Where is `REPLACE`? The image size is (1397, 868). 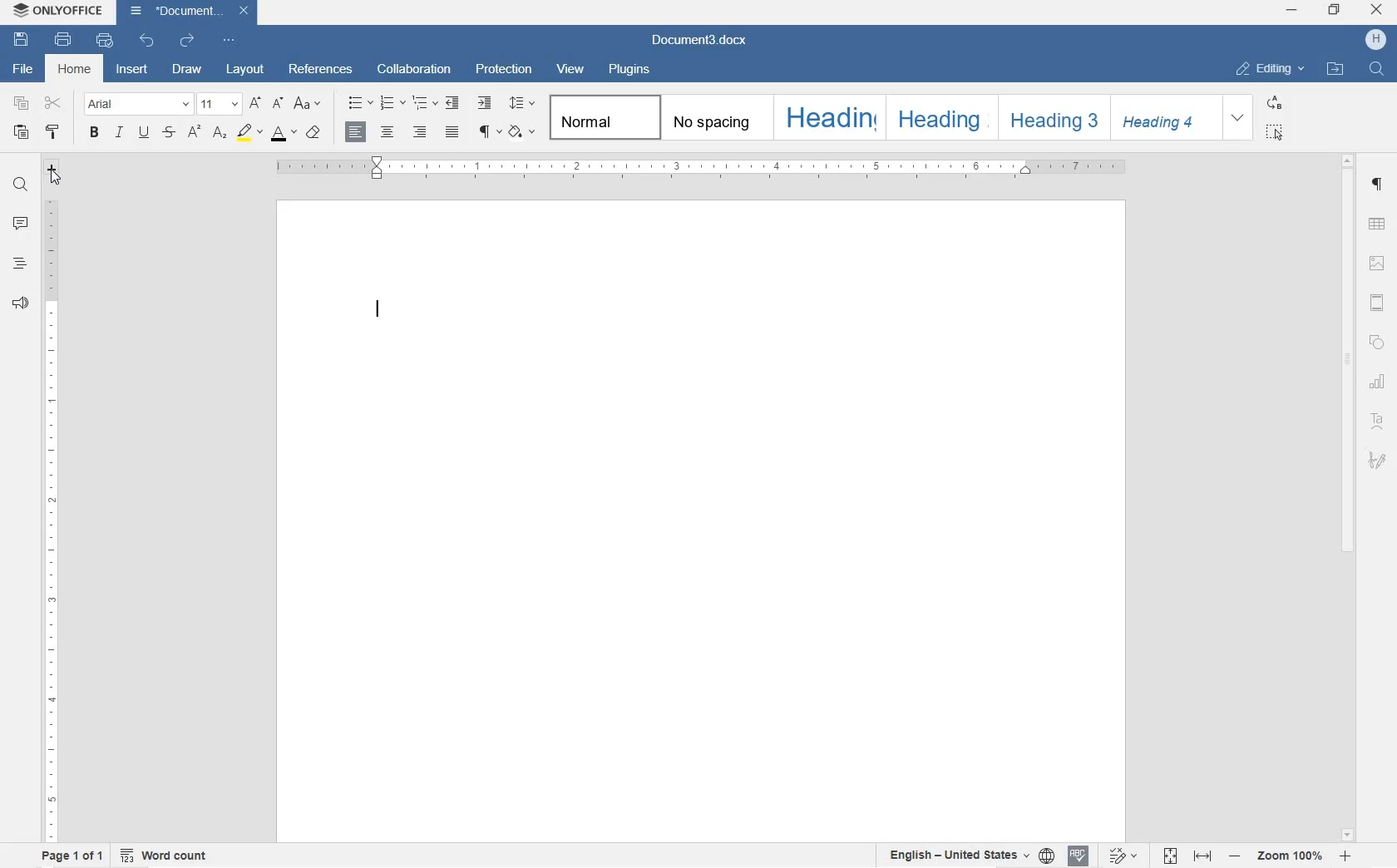 REPLACE is located at coordinates (1276, 103).